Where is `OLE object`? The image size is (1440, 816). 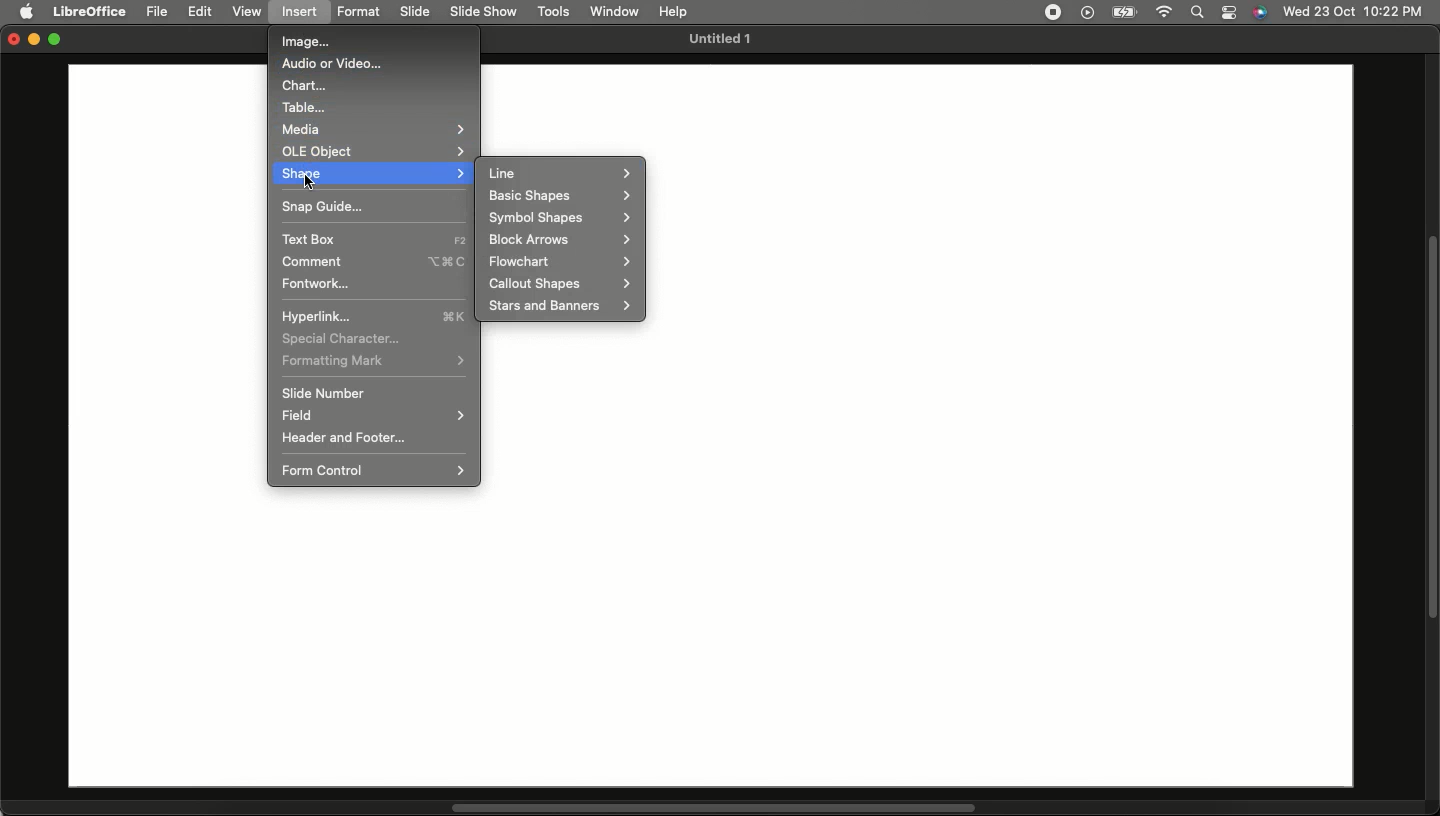
OLE object is located at coordinates (377, 150).